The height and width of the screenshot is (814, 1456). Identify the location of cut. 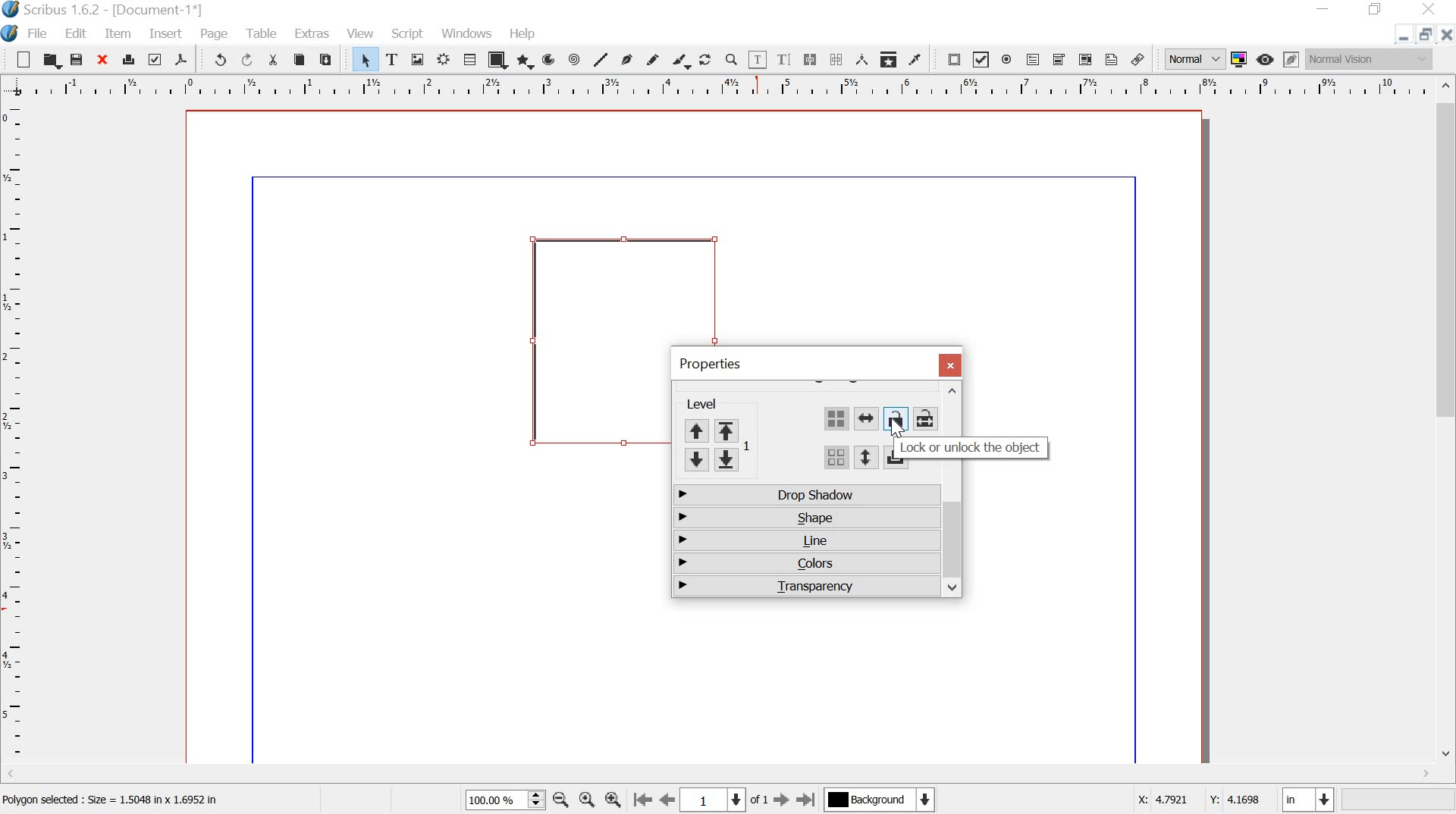
(272, 59).